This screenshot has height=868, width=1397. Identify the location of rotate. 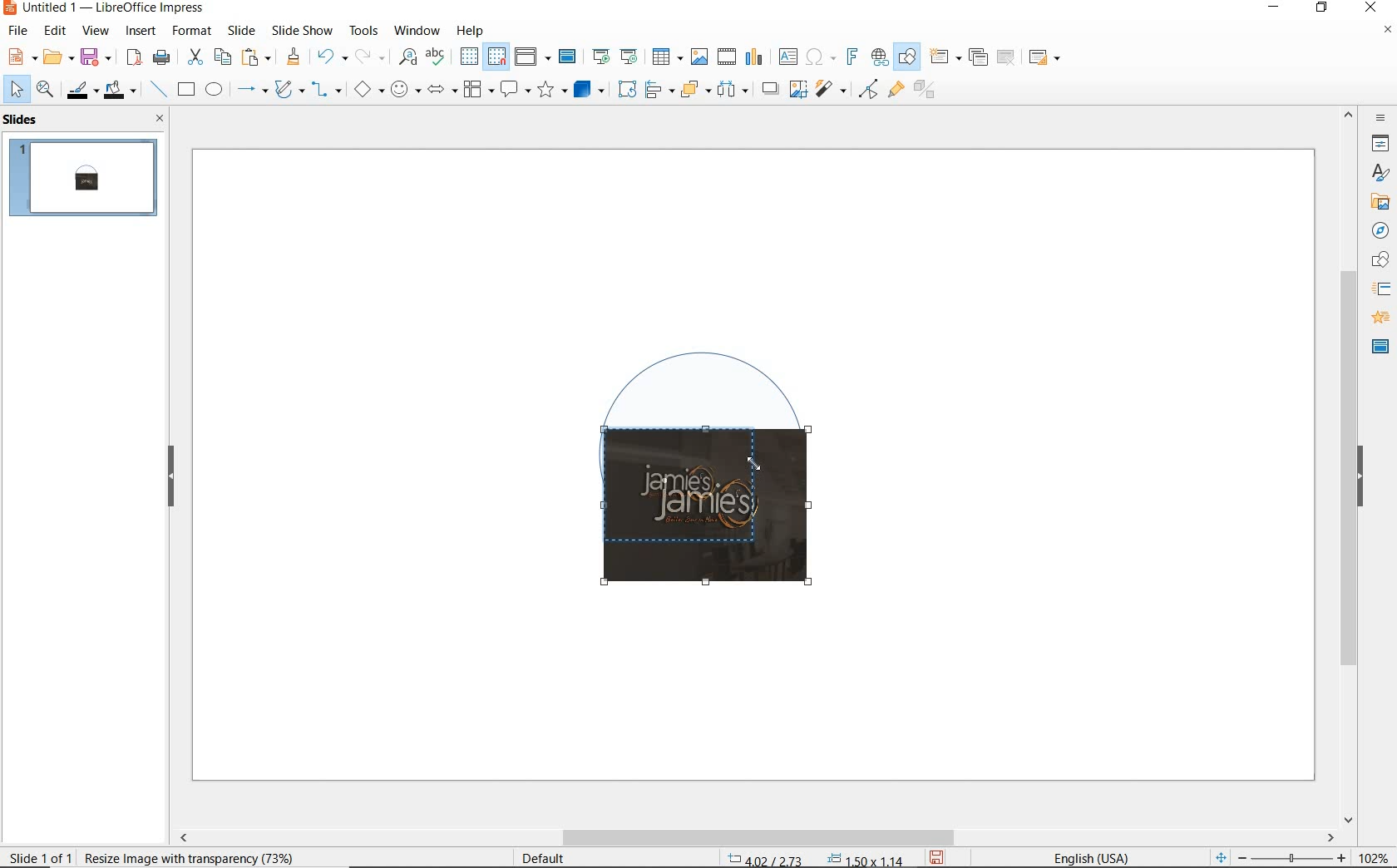
(624, 88).